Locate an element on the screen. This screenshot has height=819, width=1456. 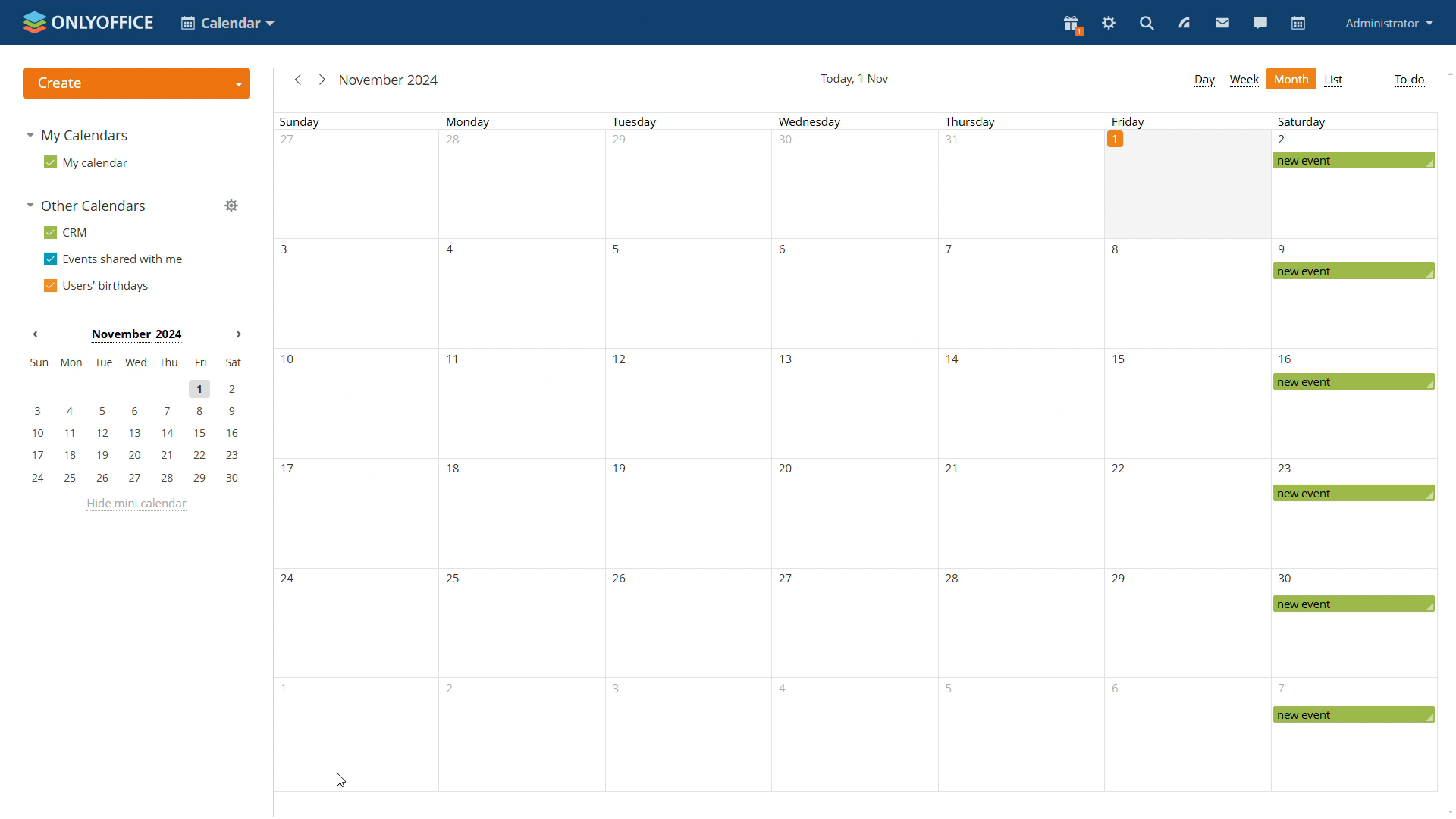
manage is located at coordinates (231, 206).